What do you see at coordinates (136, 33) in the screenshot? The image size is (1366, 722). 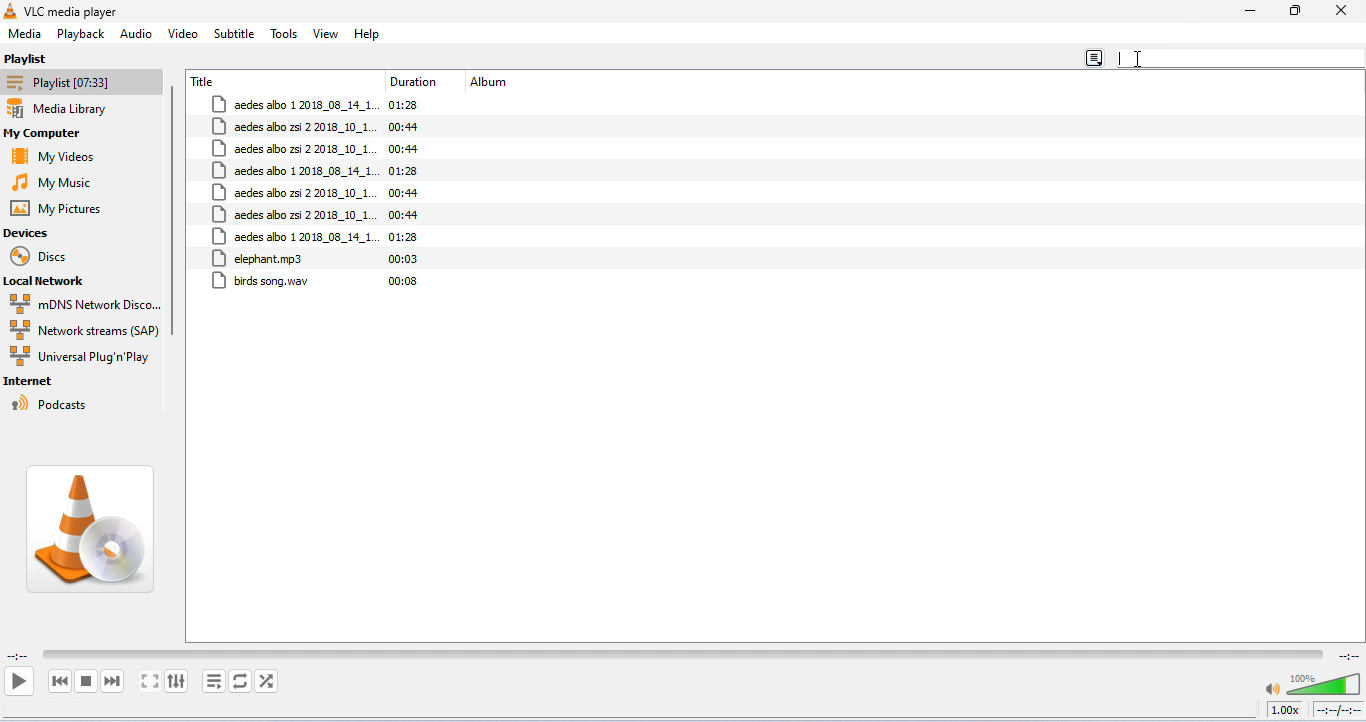 I see `audio` at bounding box center [136, 33].